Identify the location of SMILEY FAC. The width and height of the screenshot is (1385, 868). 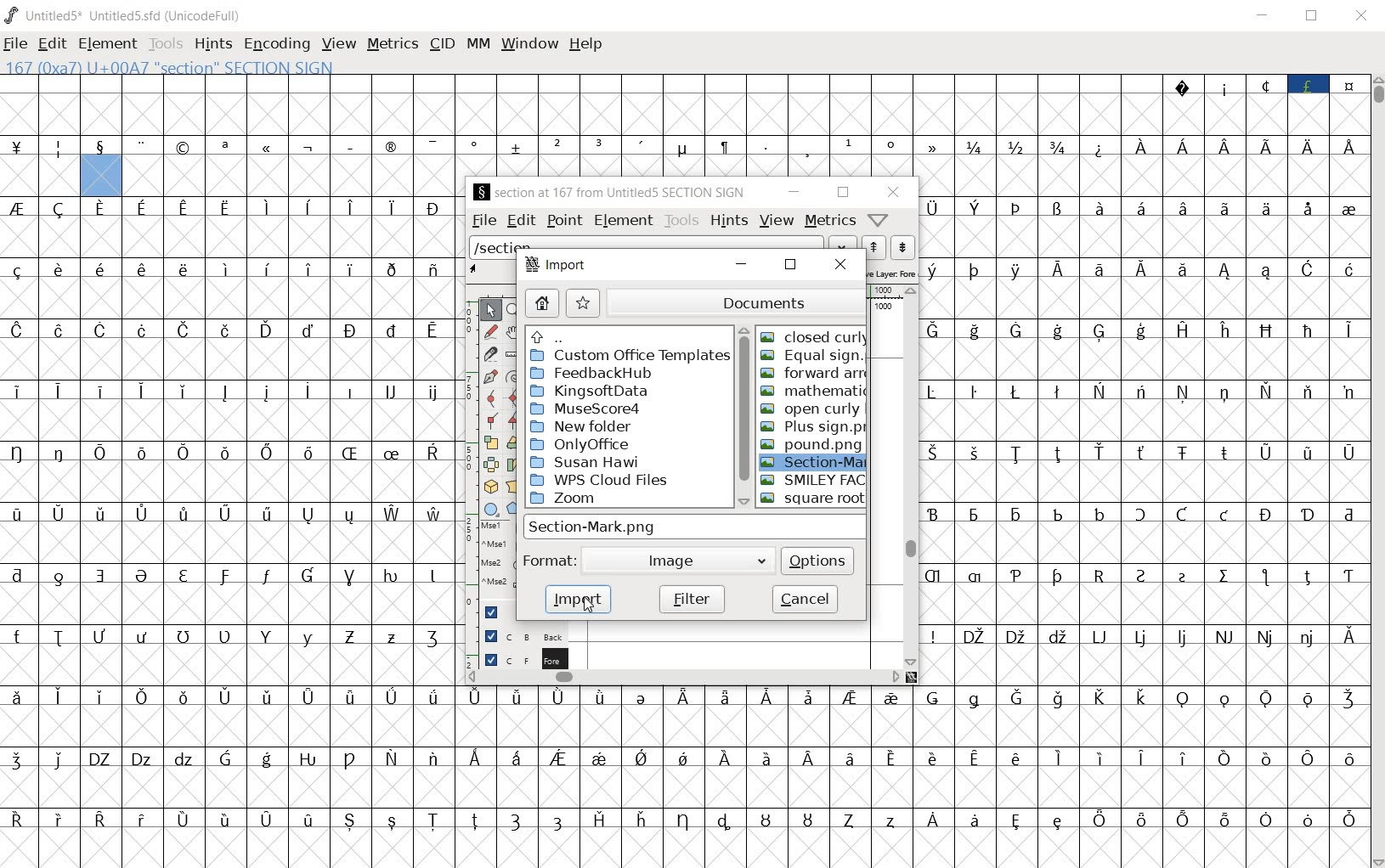
(813, 481).